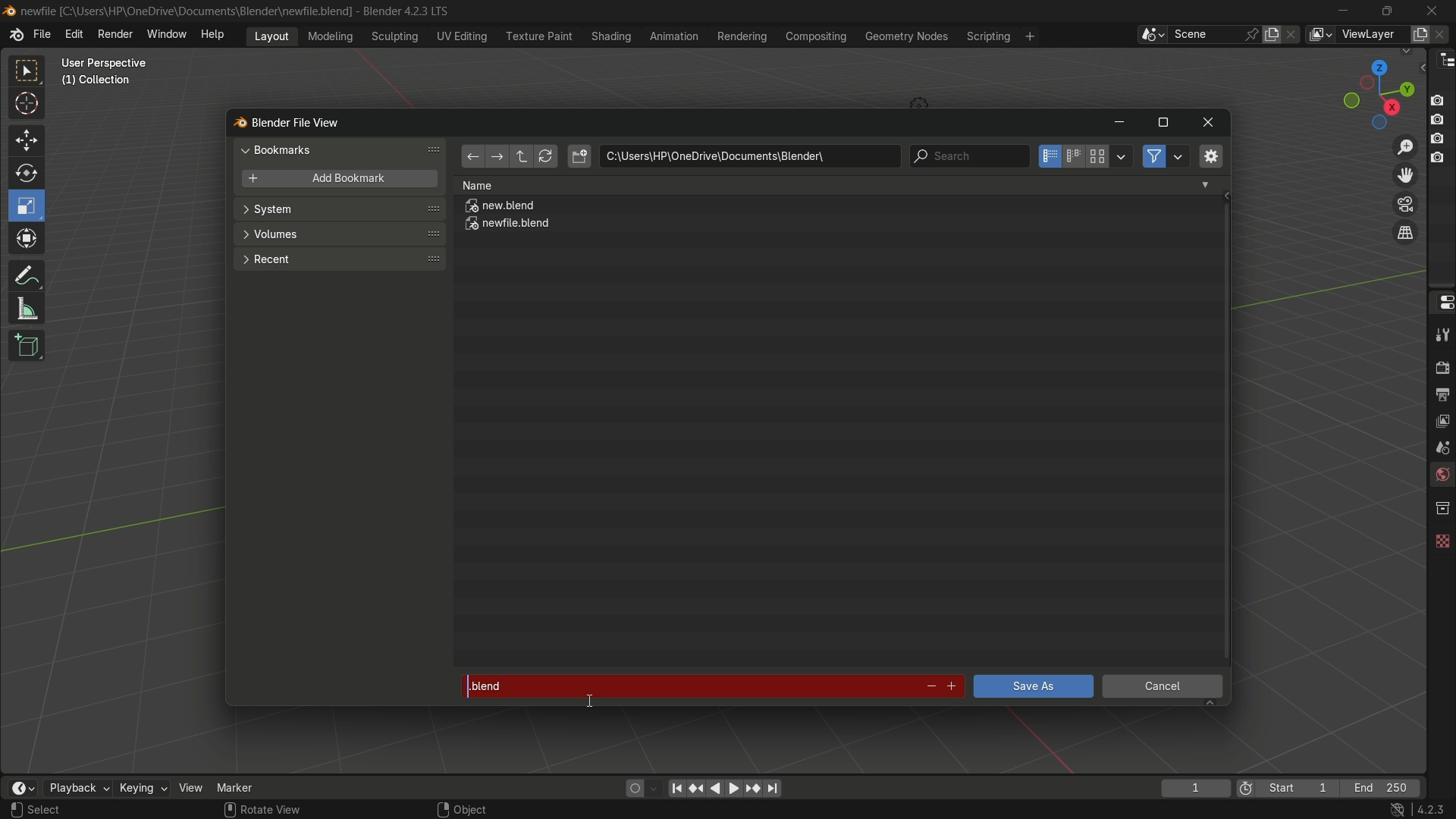  What do you see at coordinates (538, 35) in the screenshot?
I see `texture paint menu` at bounding box center [538, 35].